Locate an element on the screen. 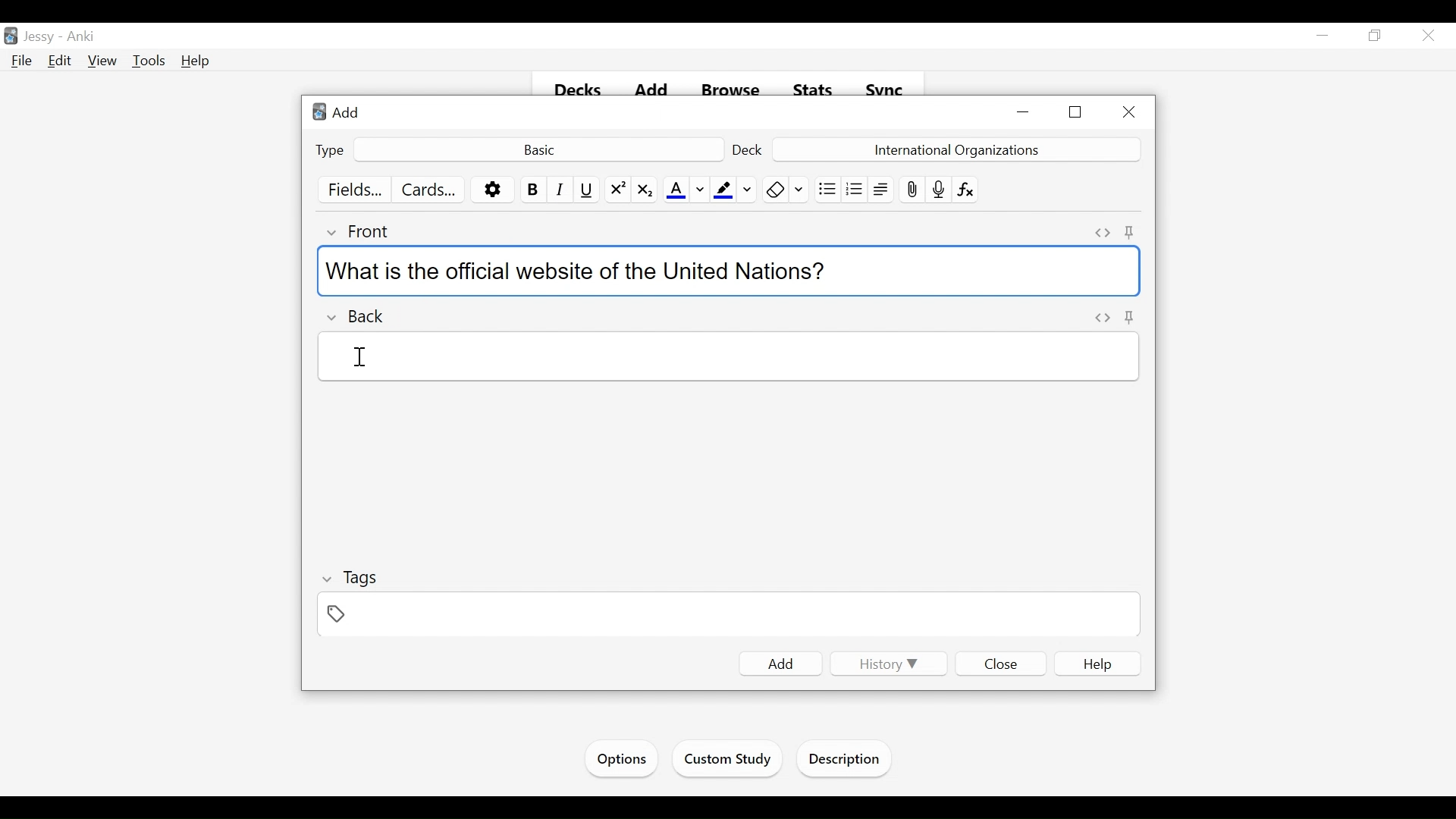 The image size is (1456, 819). Help is located at coordinates (1097, 663).